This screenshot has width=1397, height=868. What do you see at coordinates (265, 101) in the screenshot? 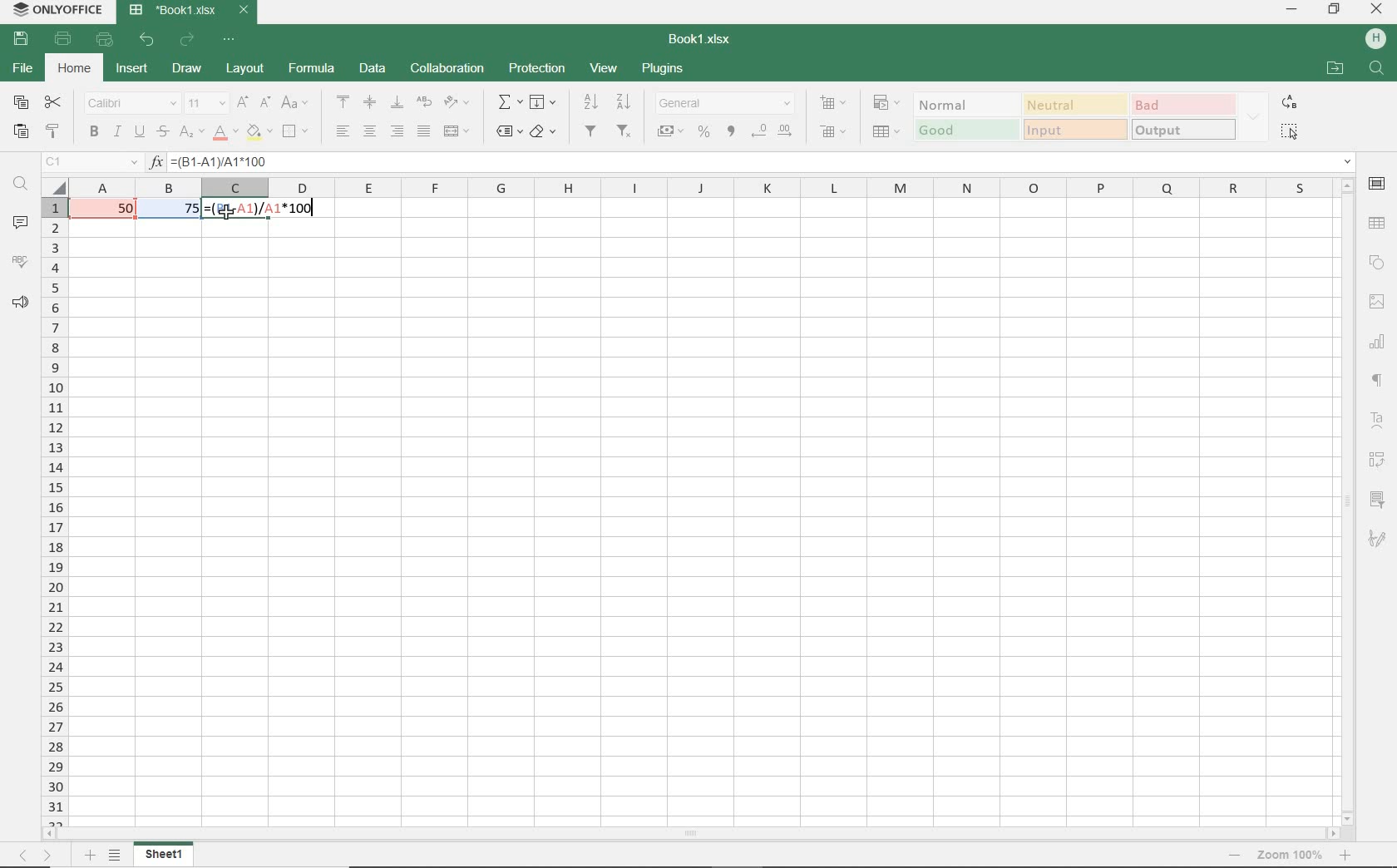
I see `decrement font size` at bounding box center [265, 101].